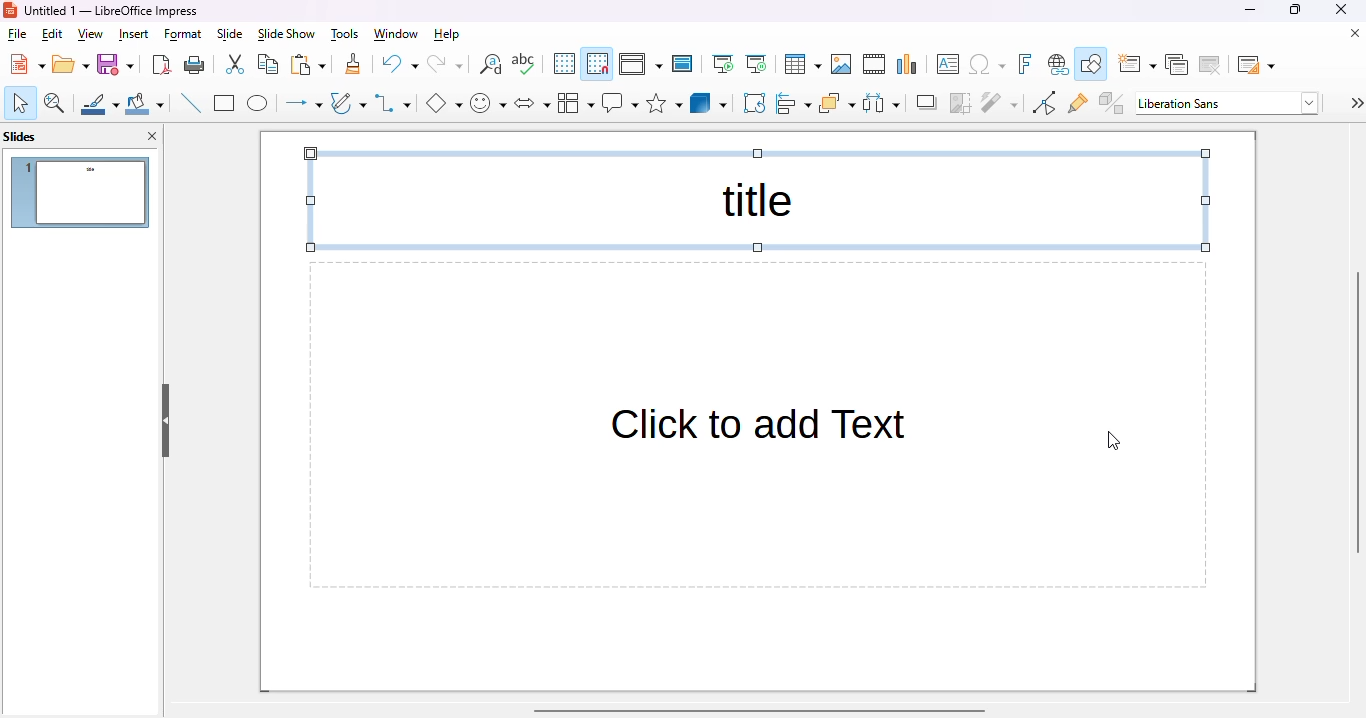 This screenshot has width=1366, height=718. I want to click on ellipse, so click(258, 104).